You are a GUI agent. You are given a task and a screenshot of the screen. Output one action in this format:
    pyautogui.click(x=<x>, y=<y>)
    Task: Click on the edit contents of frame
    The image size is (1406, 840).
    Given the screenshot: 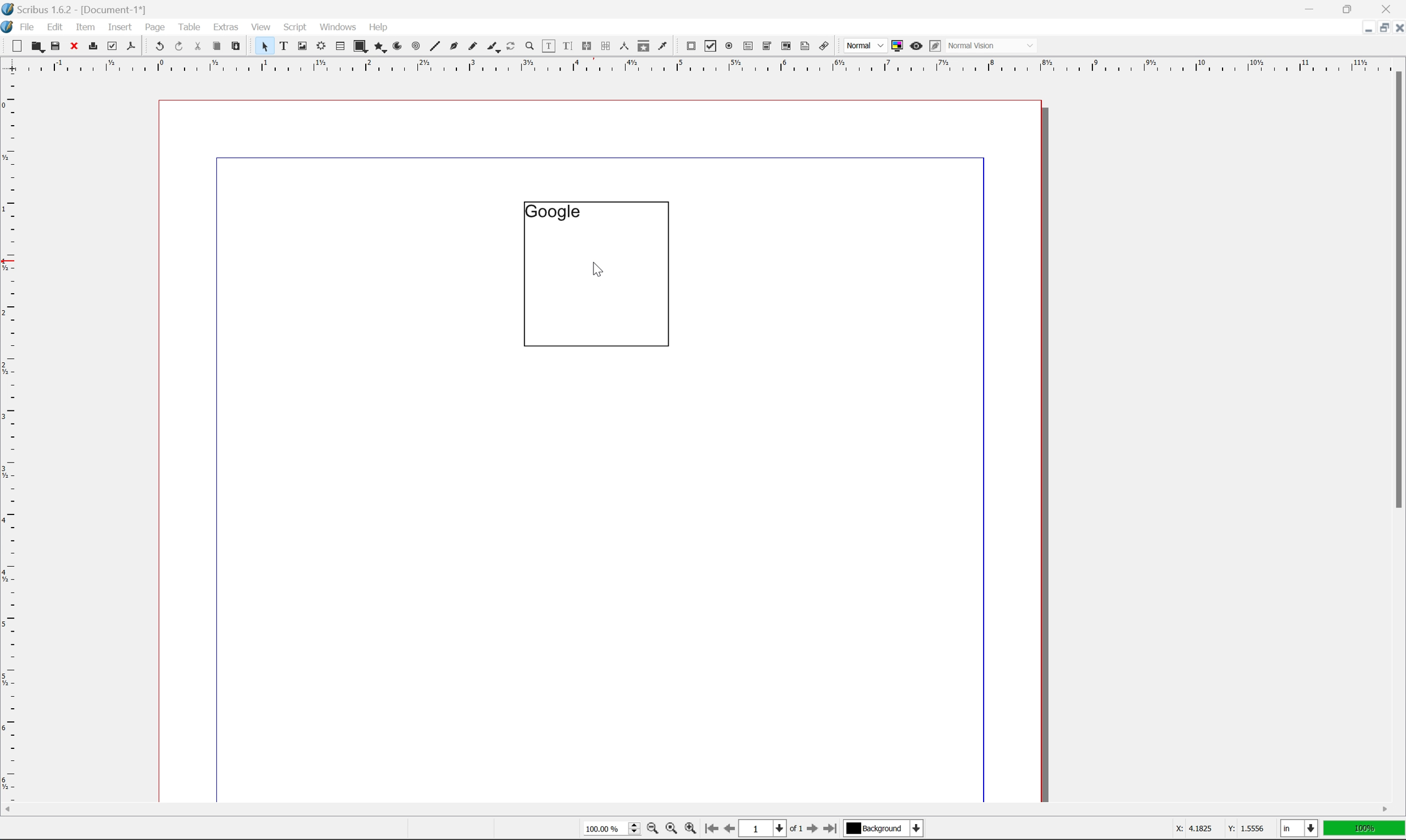 What is the action you would take?
    pyautogui.click(x=548, y=45)
    